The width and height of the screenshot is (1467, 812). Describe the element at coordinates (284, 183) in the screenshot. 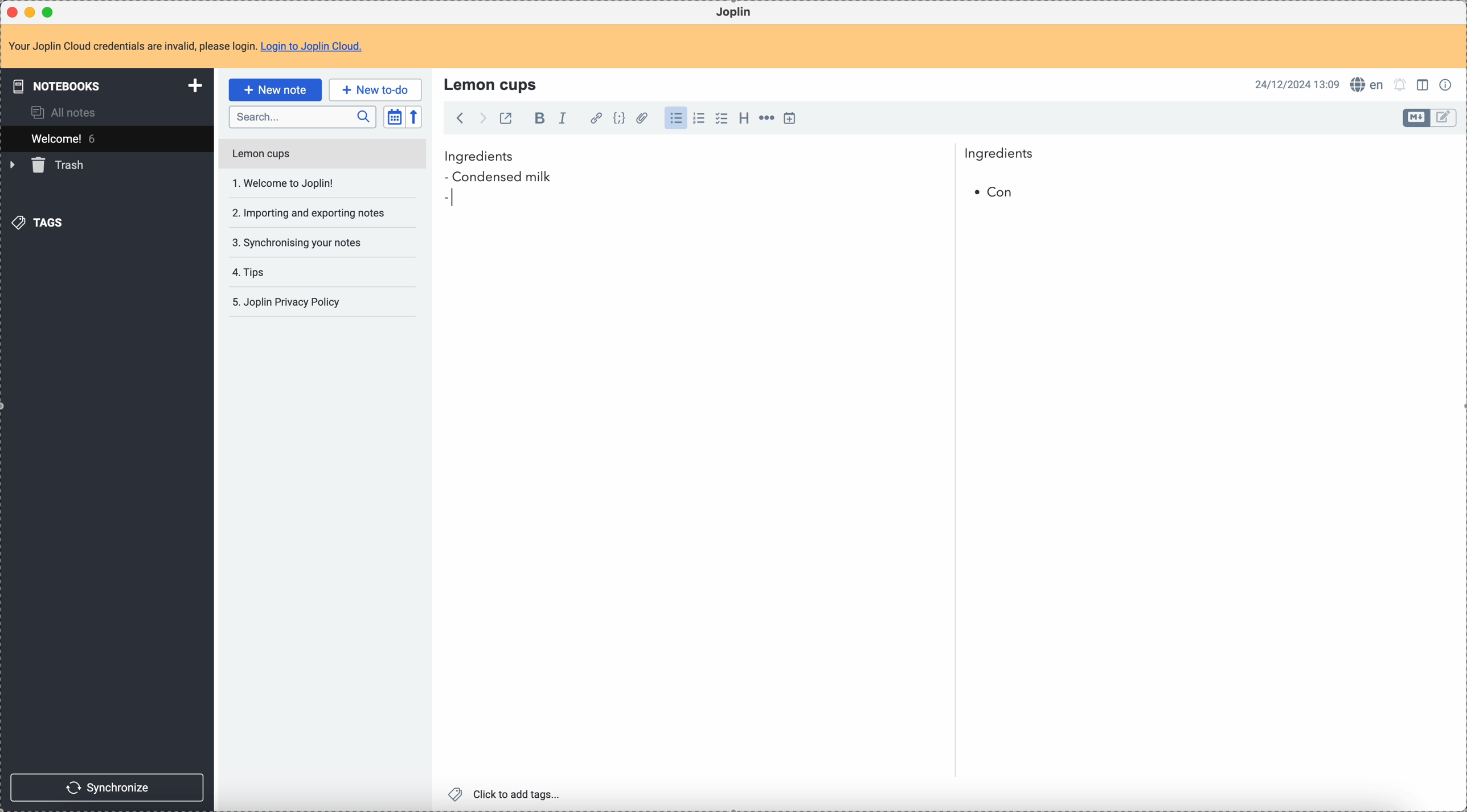

I see `welcome to Joplin!` at that location.